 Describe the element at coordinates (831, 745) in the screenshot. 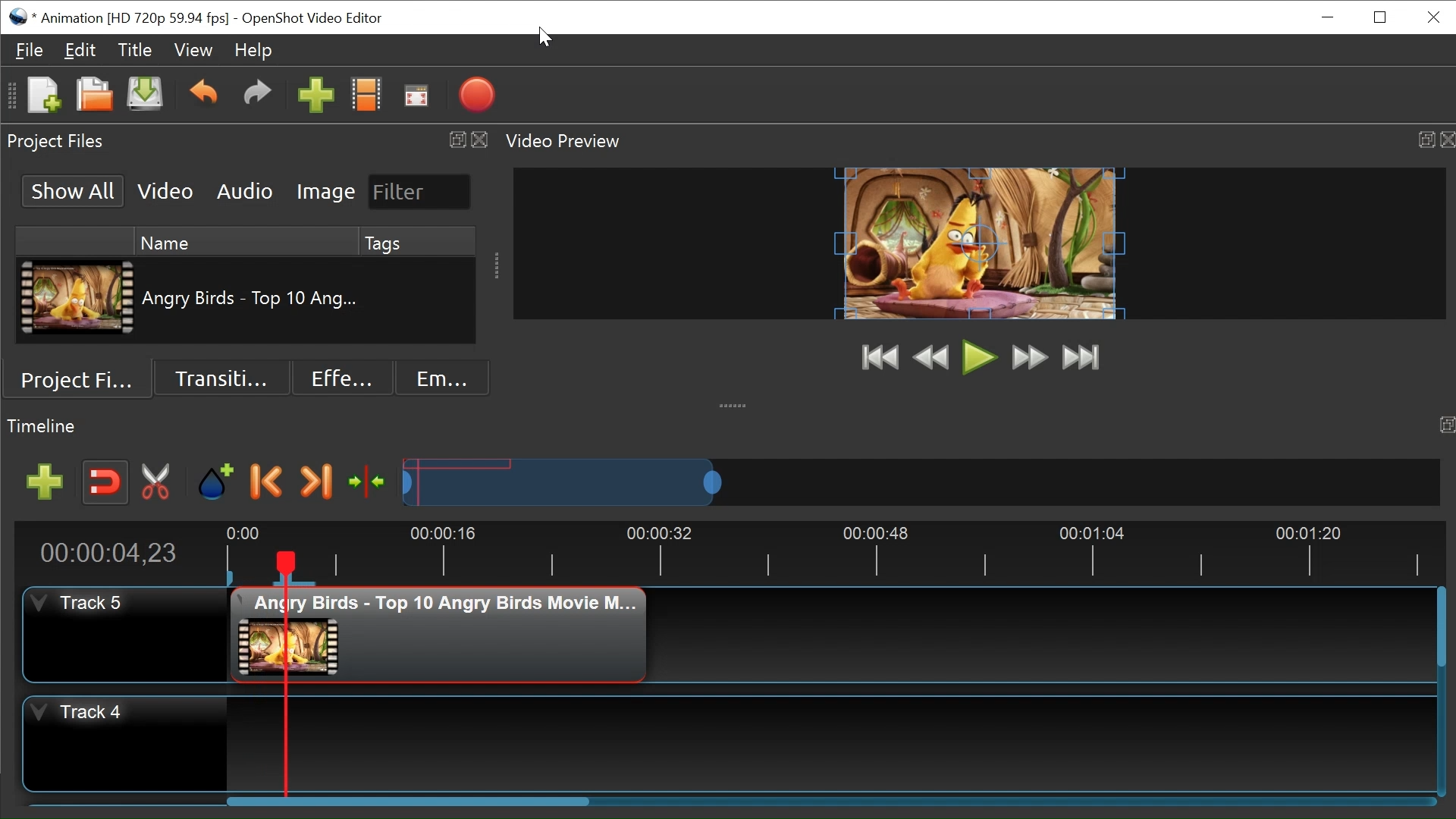

I see `Track Panel` at that location.